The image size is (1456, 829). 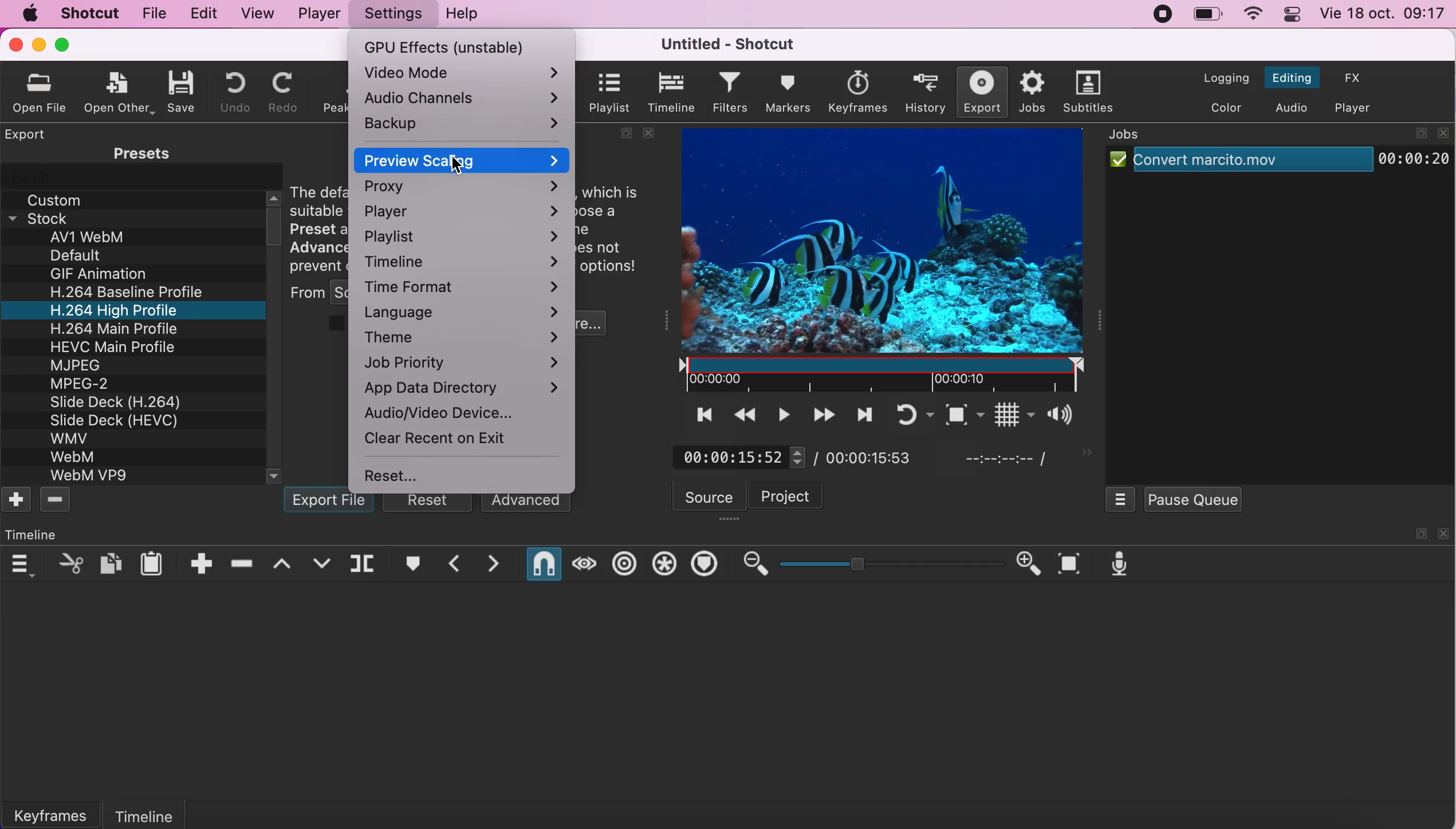 What do you see at coordinates (467, 261) in the screenshot?
I see `timeline` at bounding box center [467, 261].